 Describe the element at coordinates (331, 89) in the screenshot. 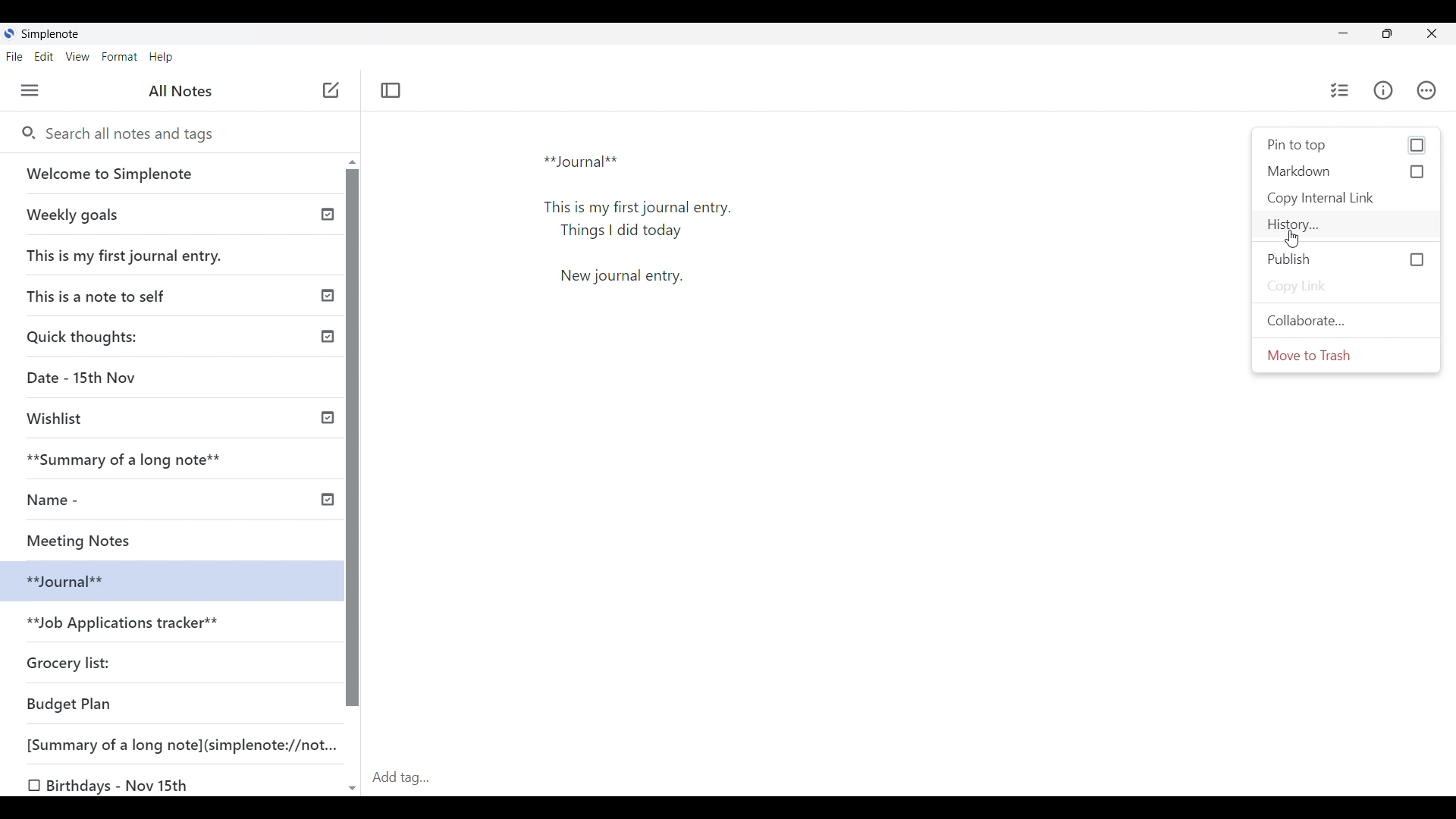

I see `Add new note` at that location.